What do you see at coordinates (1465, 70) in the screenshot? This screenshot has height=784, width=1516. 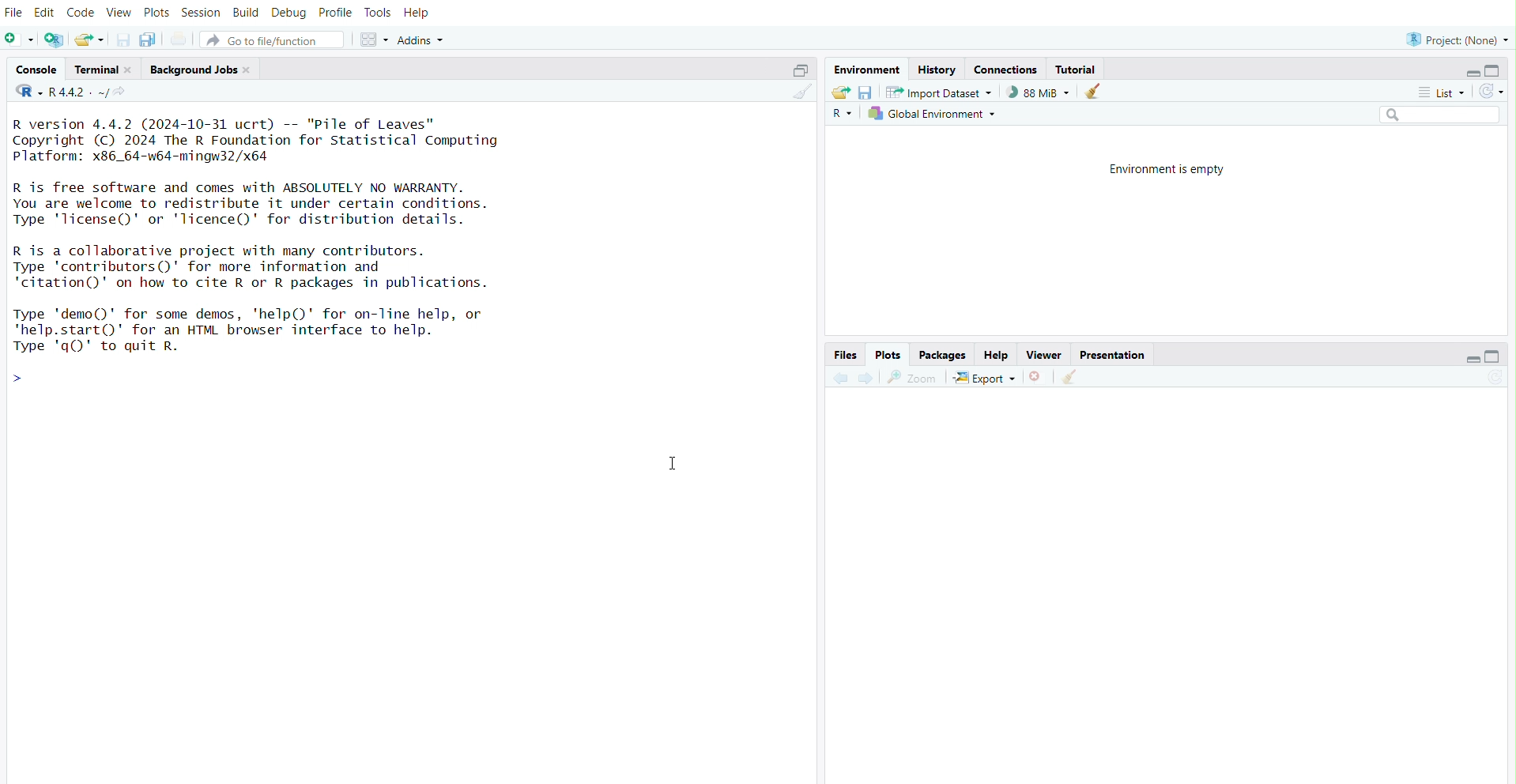 I see `minimize` at bounding box center [1465, 70].